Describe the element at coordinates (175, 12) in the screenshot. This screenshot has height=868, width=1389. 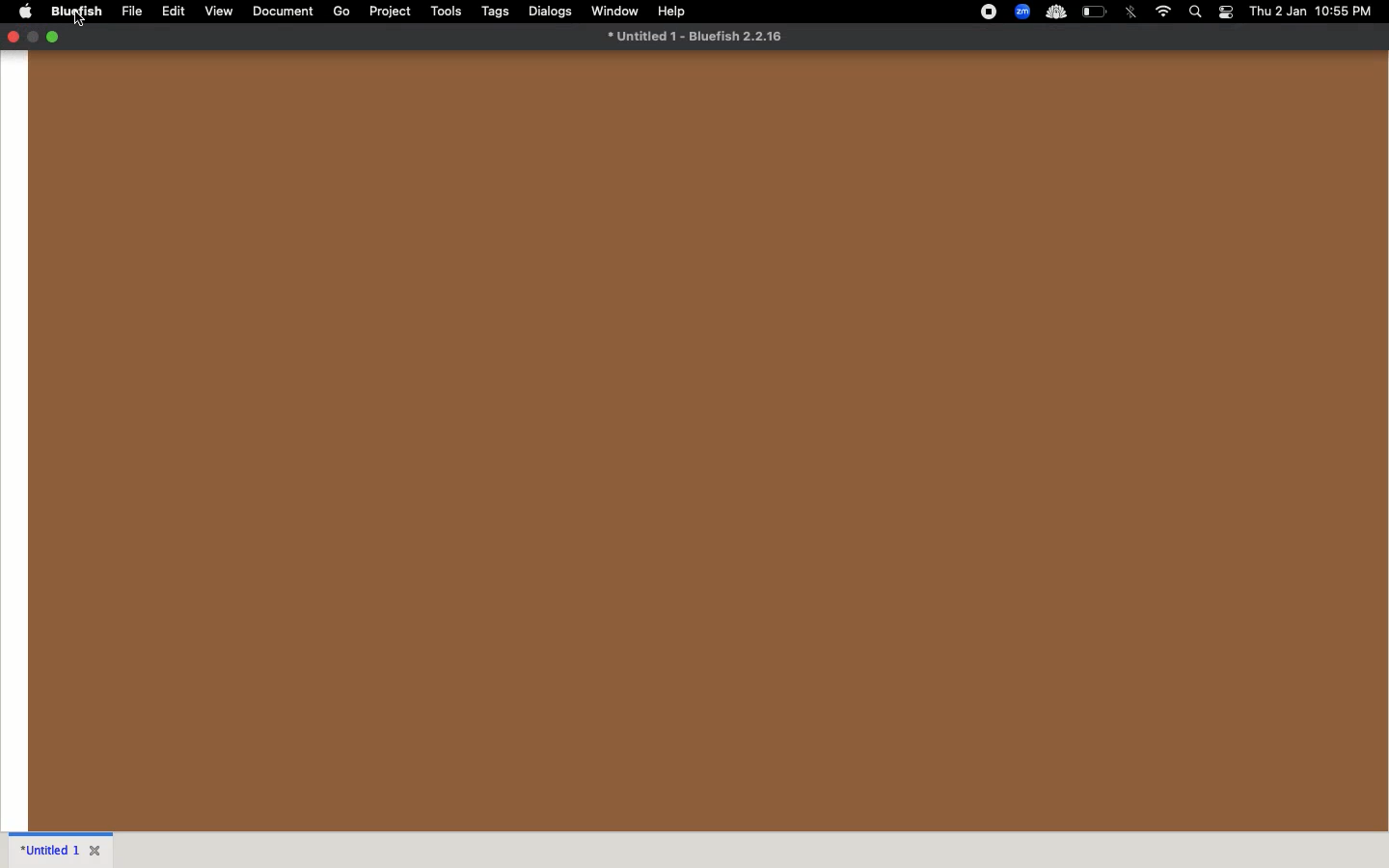
I see `edit` at that location.